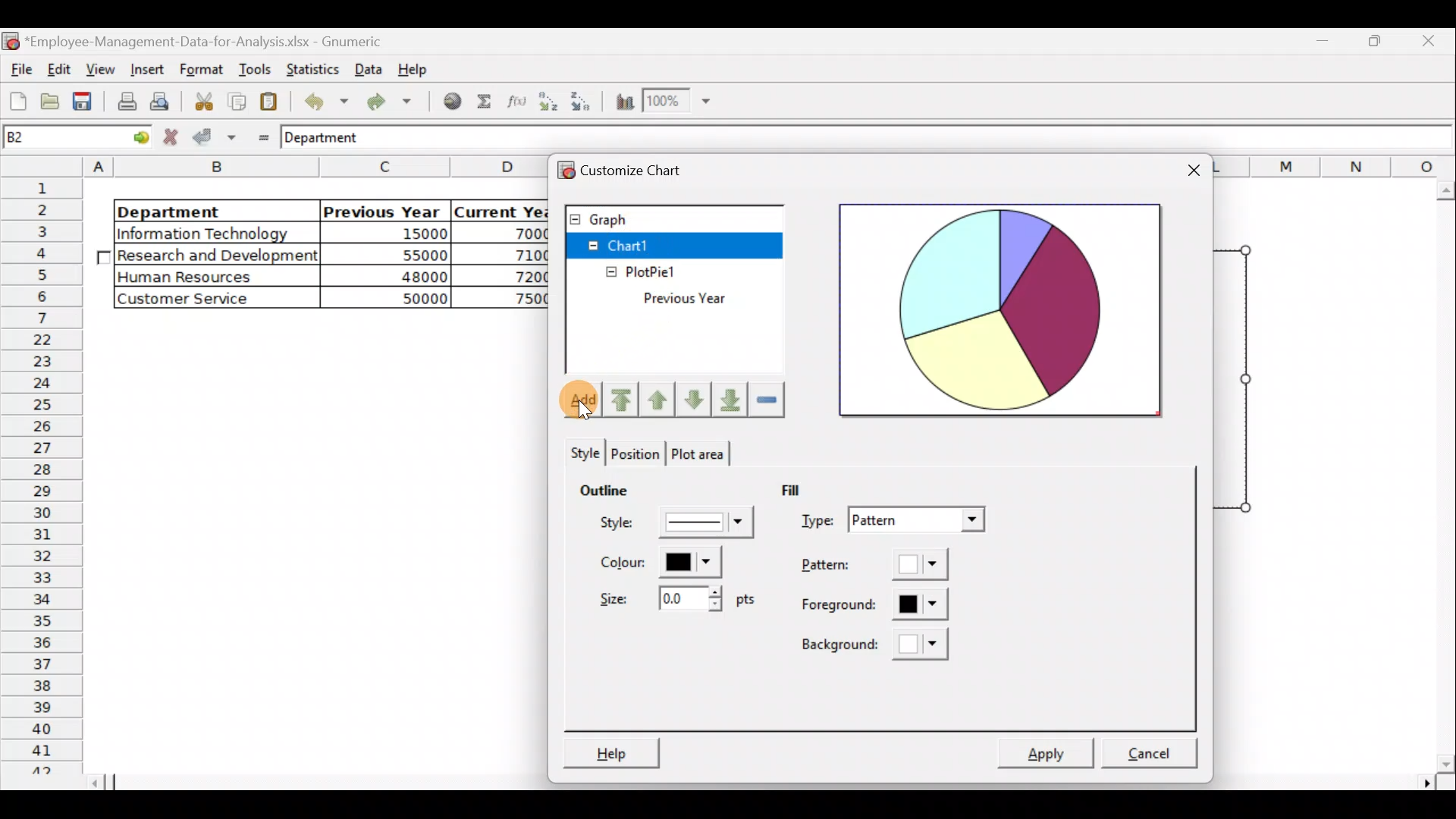  Describe the element at coordinates (214, 40) in the screenshot. I see `Employee-Management-Data-for-Analysis.xlsx - Gnumeric` at that location.